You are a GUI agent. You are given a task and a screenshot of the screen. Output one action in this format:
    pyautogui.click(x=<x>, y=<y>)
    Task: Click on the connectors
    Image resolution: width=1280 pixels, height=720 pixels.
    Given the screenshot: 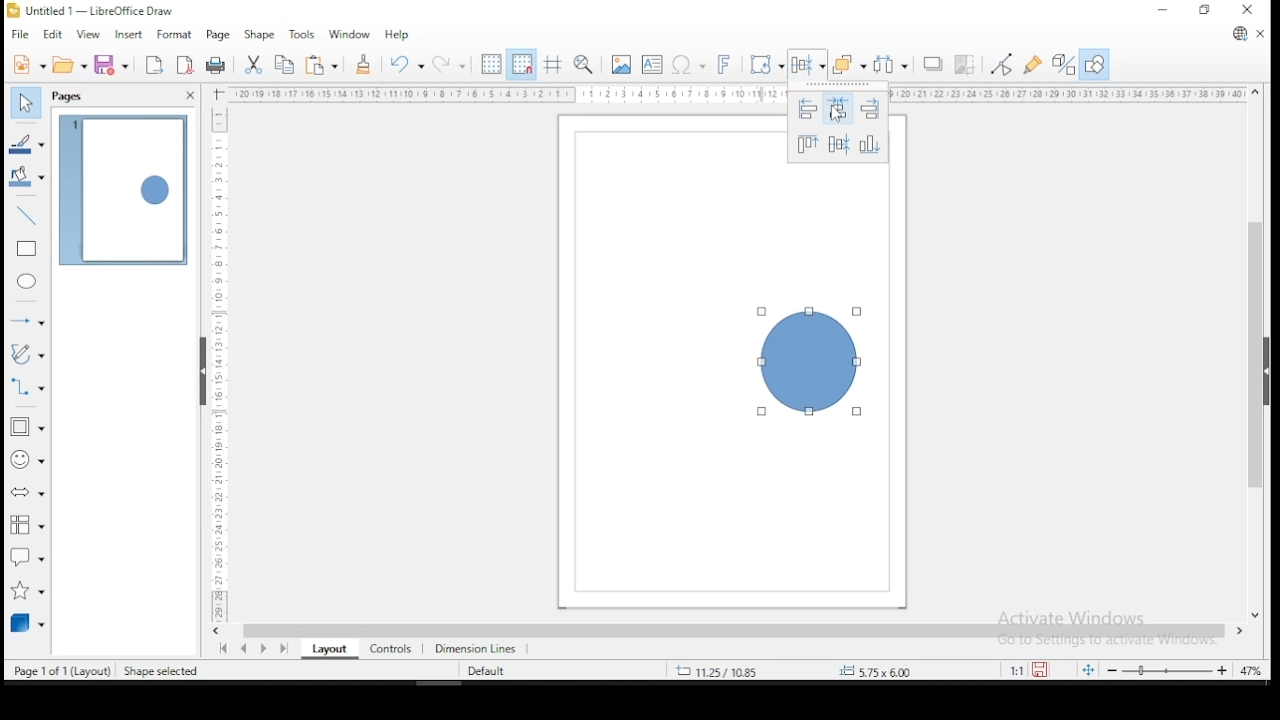 What is the action you would take?
    pyautogui.click(x=25, y=385)
    